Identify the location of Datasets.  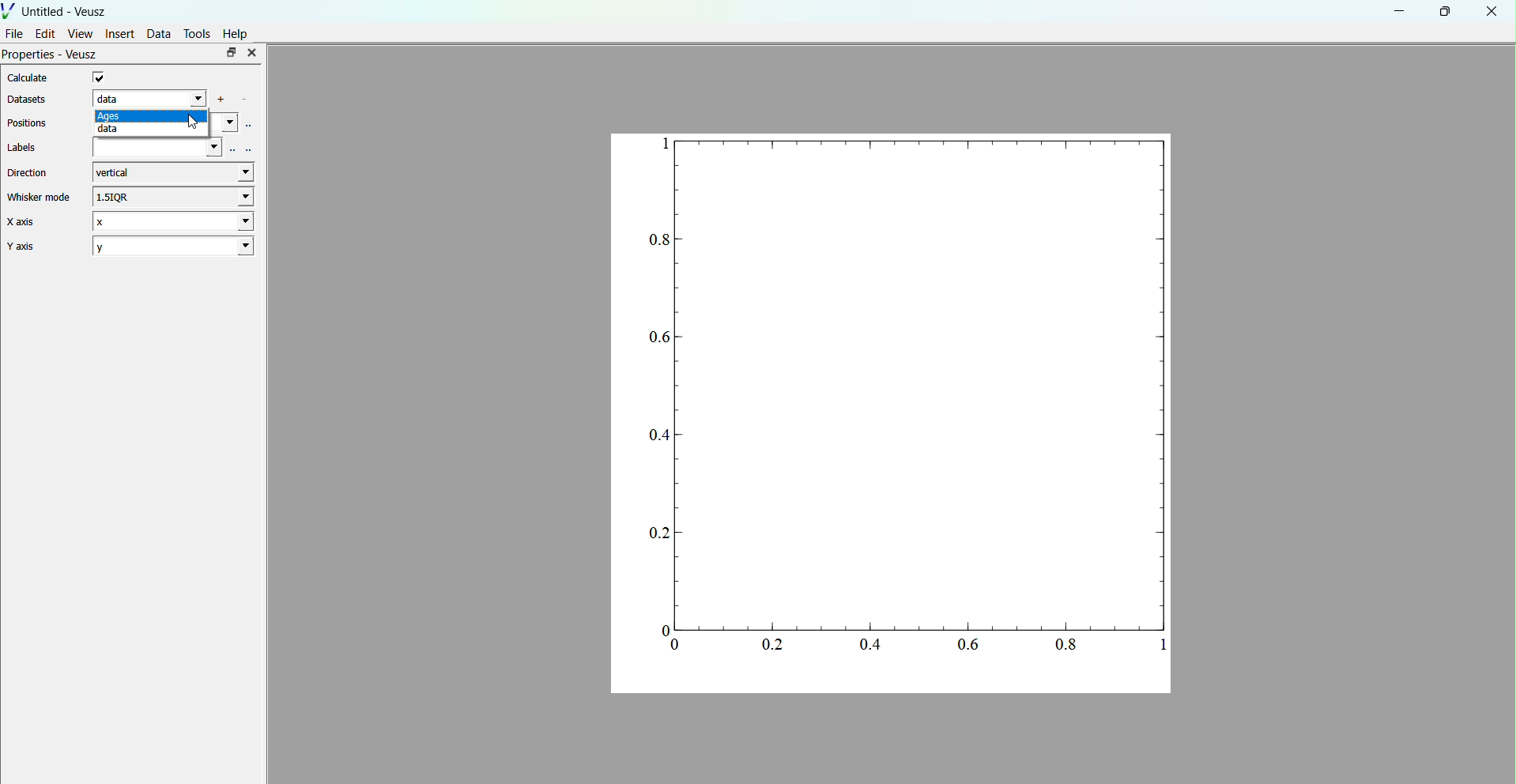
(30, 99).